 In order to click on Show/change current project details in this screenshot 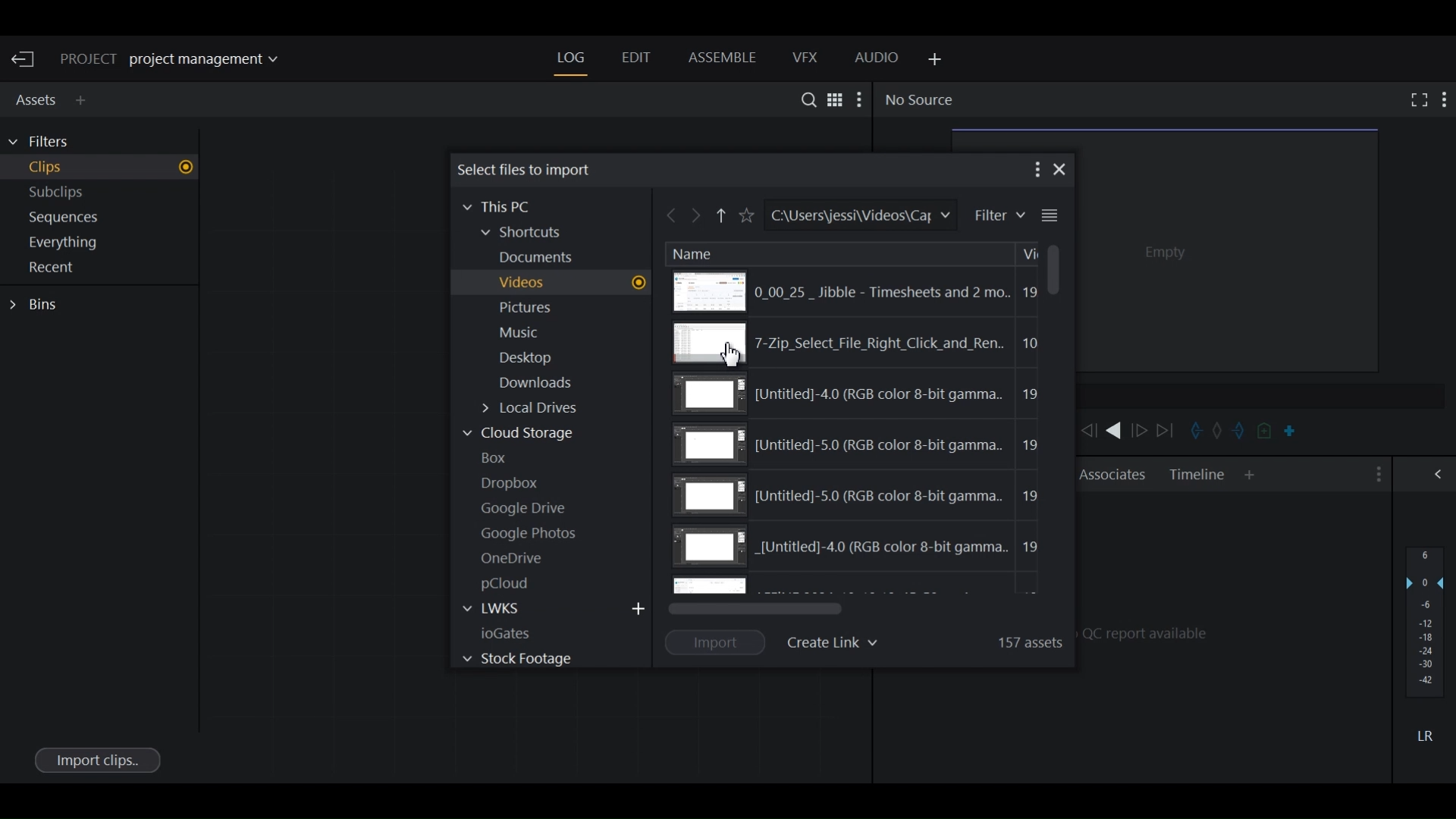, I will do `click(180, 60)`.